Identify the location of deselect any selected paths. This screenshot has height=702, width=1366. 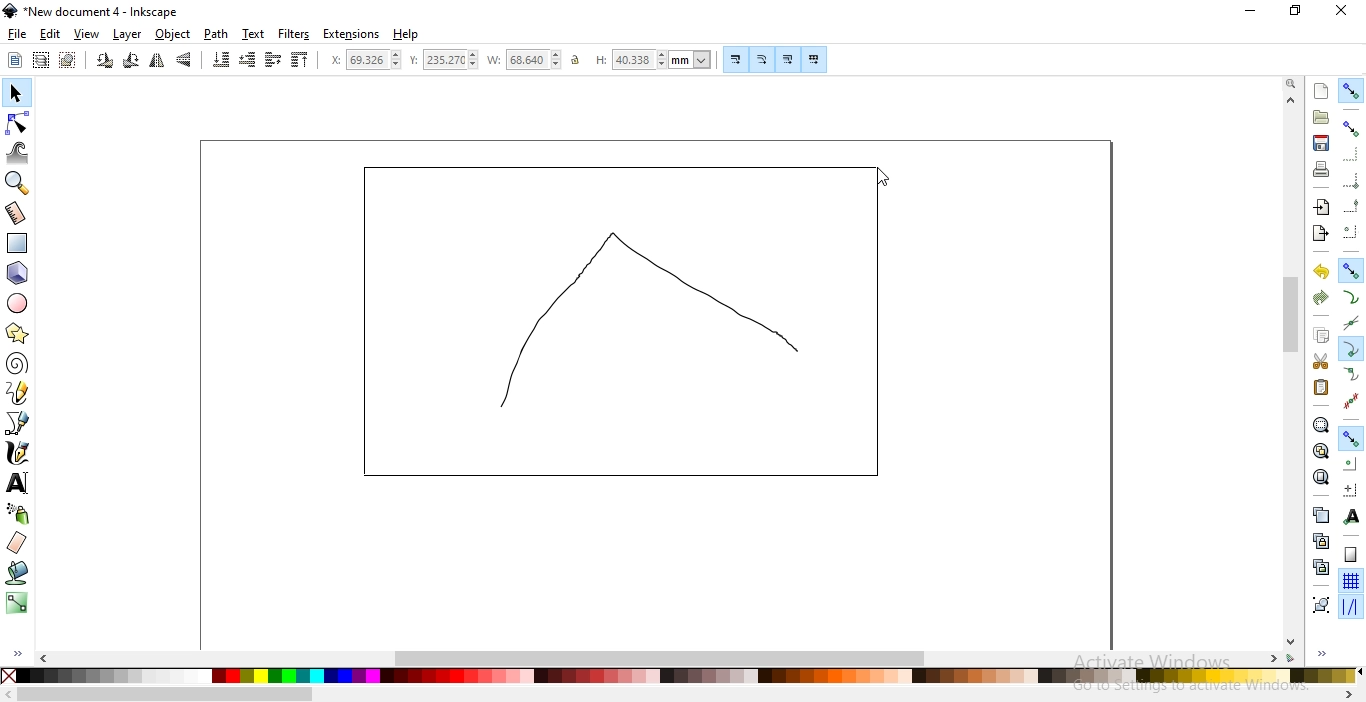
(67, 61).